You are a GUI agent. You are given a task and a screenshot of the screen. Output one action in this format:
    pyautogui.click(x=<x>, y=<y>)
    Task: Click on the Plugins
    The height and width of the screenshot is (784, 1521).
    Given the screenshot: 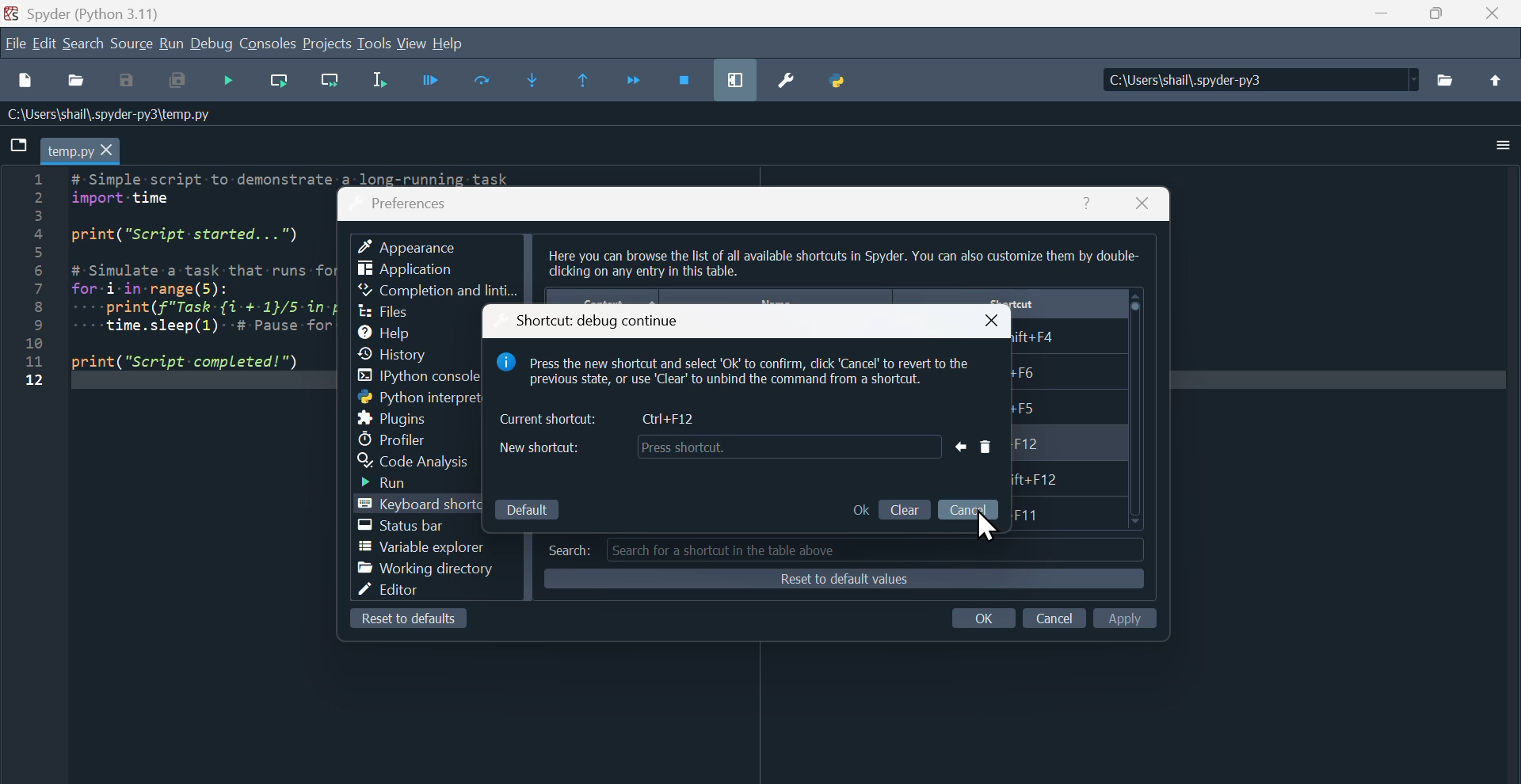 What is the action you would take?
    pyautogui.click(x=401, y=417)
    